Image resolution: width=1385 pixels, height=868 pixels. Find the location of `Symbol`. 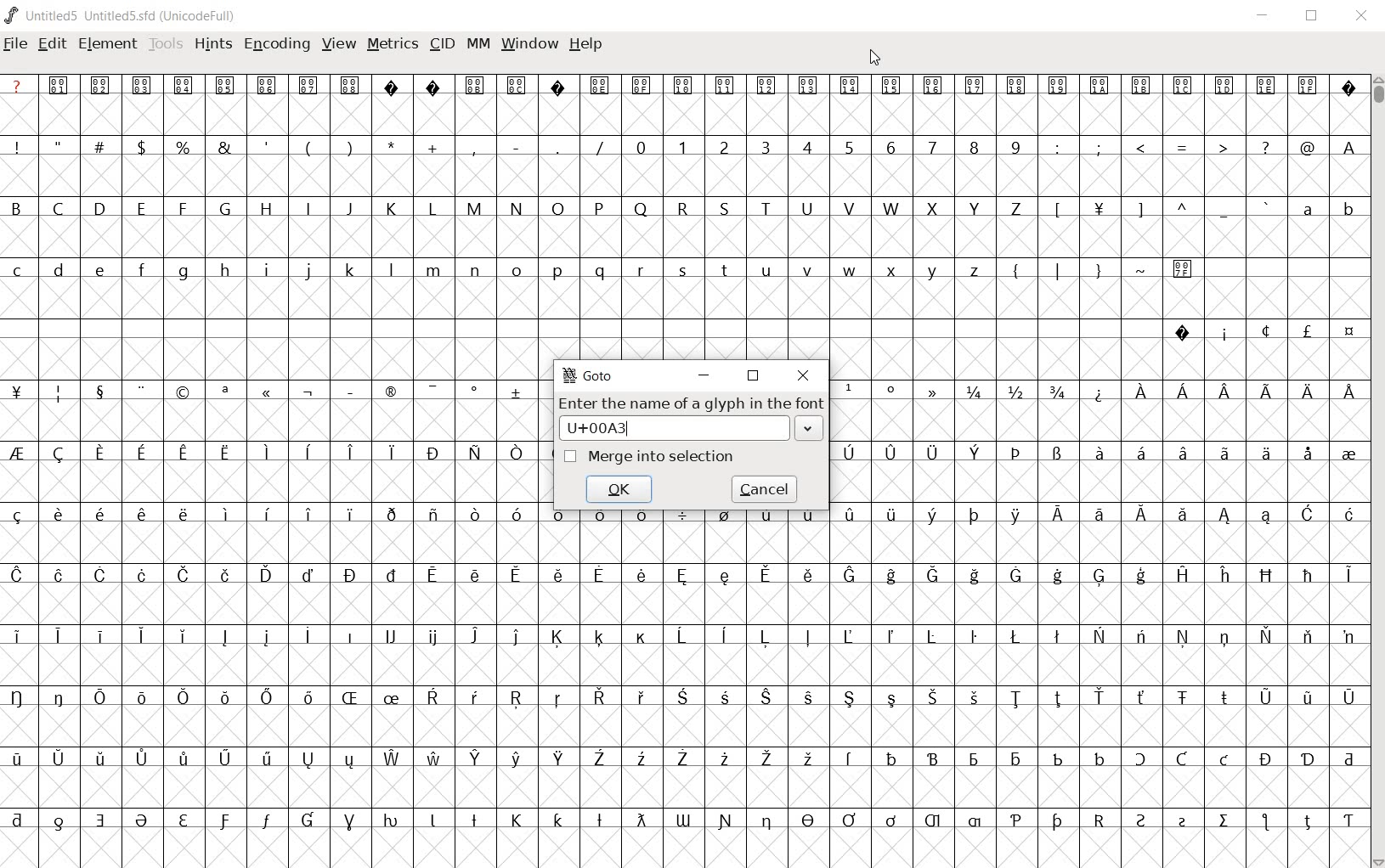

Symbol is located at coordinates (265, 637).